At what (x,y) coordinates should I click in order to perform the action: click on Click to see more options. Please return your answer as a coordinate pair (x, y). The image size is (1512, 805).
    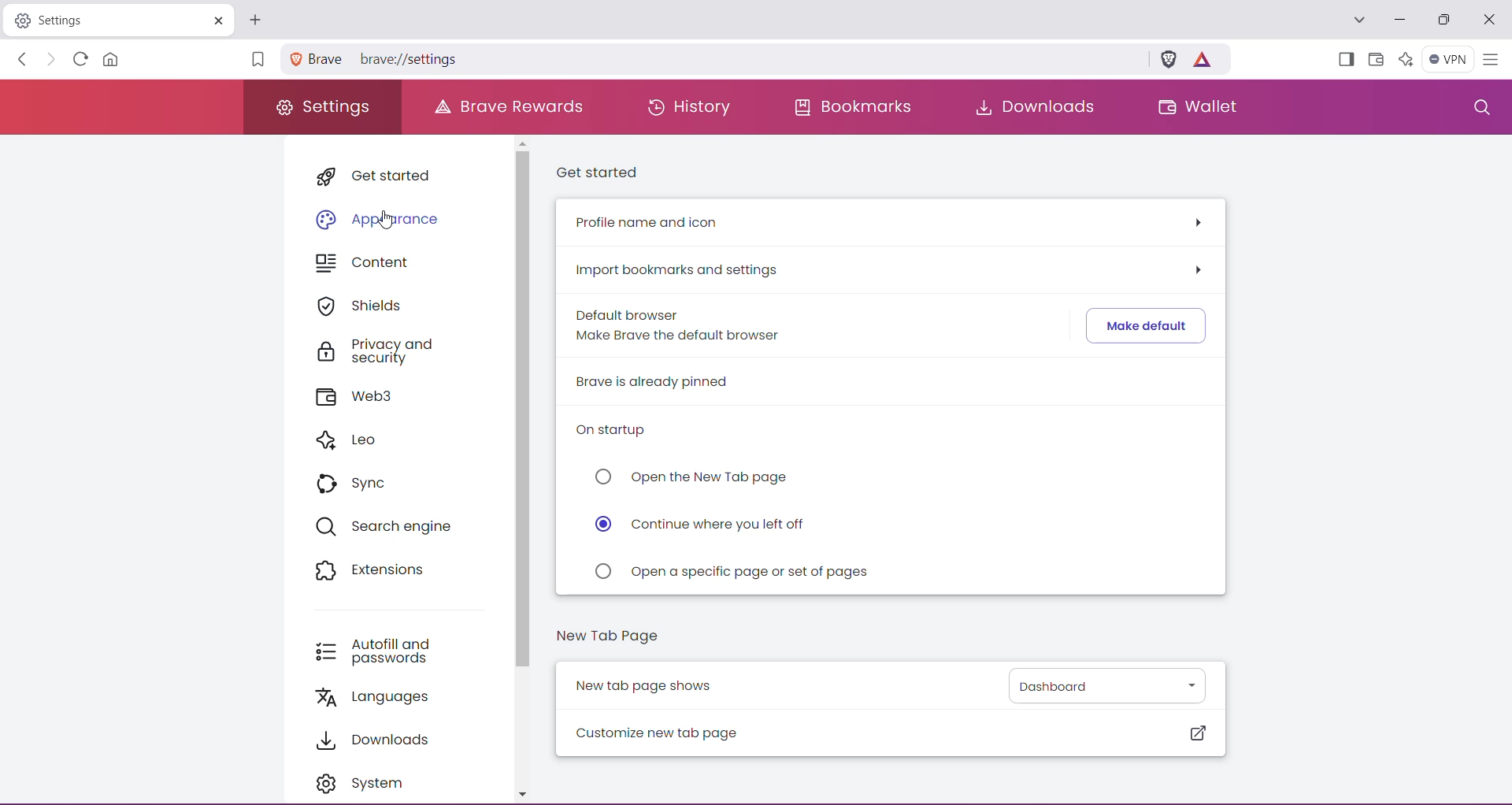
    Looking at the image, I should click on (1191, 221).